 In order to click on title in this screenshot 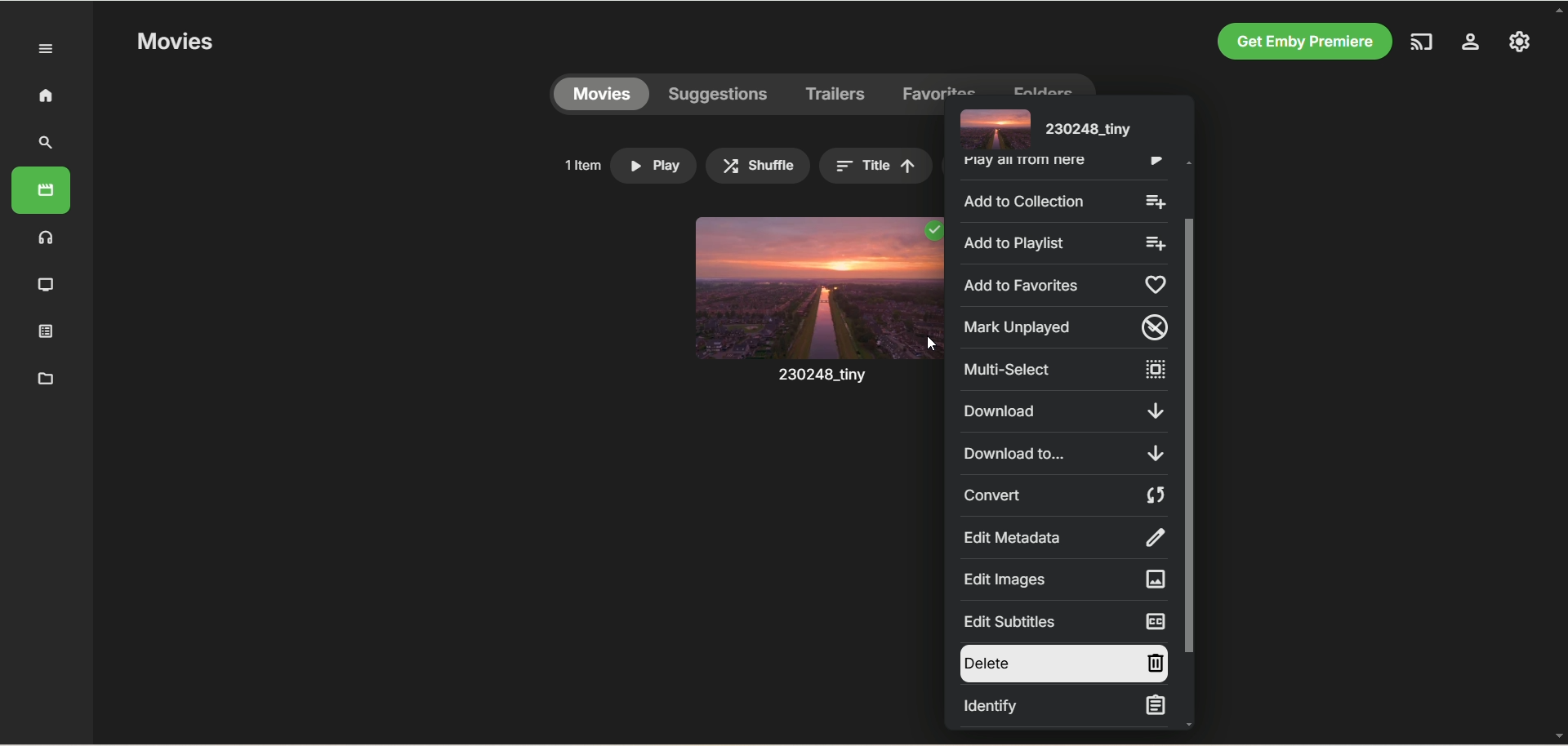, I will do `click(875, 166)`.